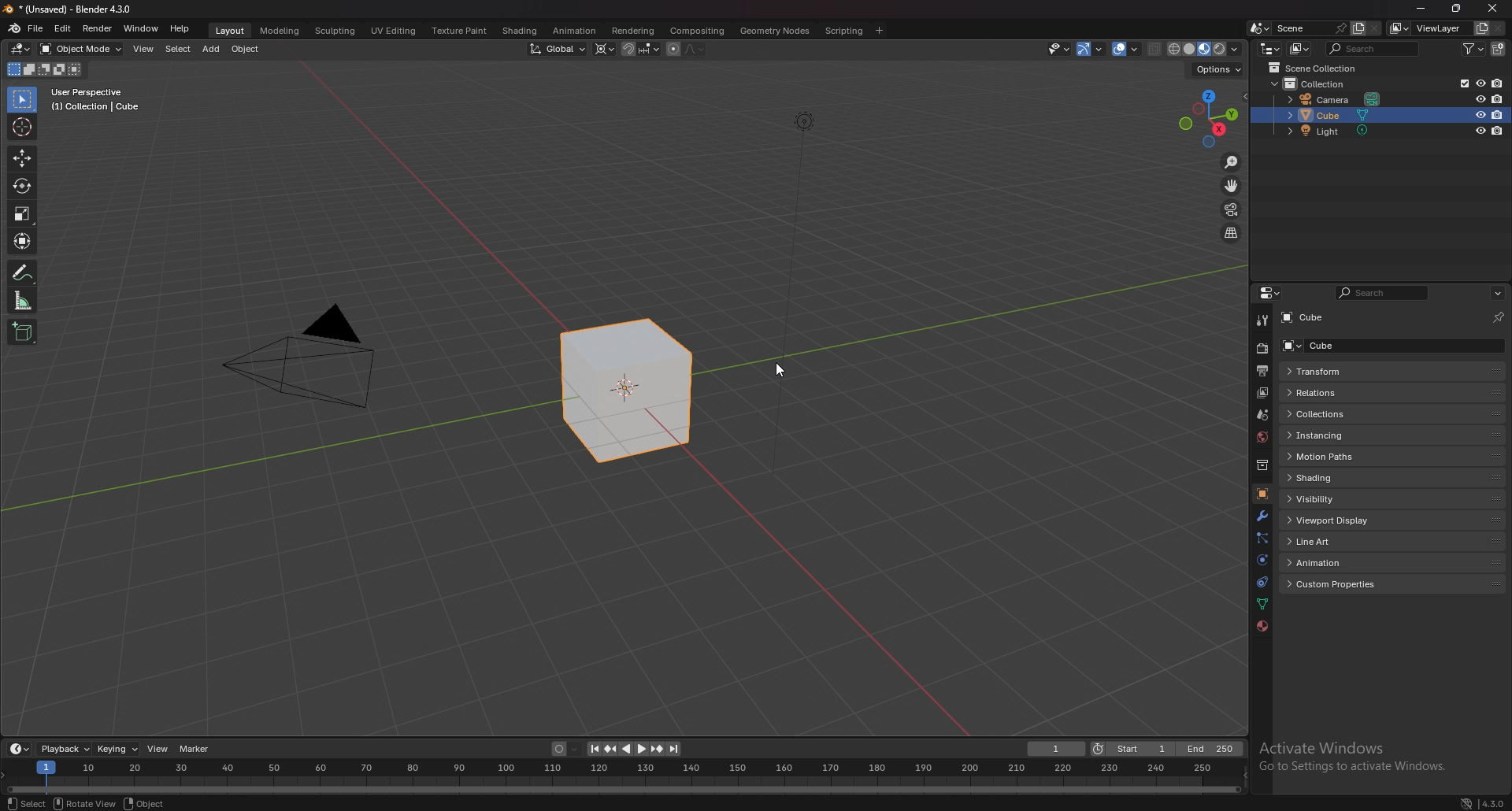 This screenshot has height=811, width=1512. What do you see at coordinates (1458, 9) in the screenshot?
I see `resize` at bounding box center [1458, 9].